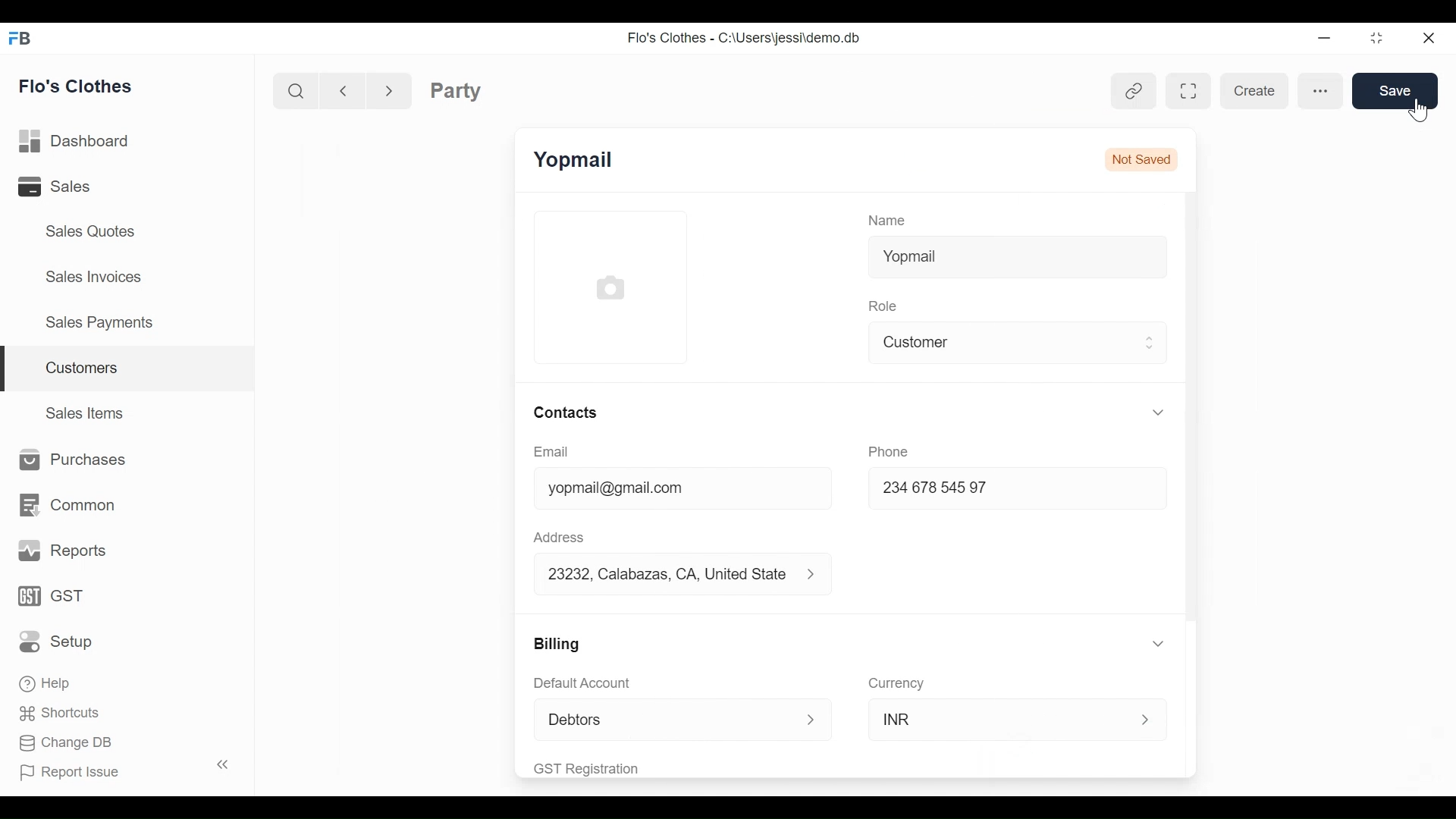 This screenshot has height=819, width=1456. I want to click on Yopmail, so click(1019, 257).